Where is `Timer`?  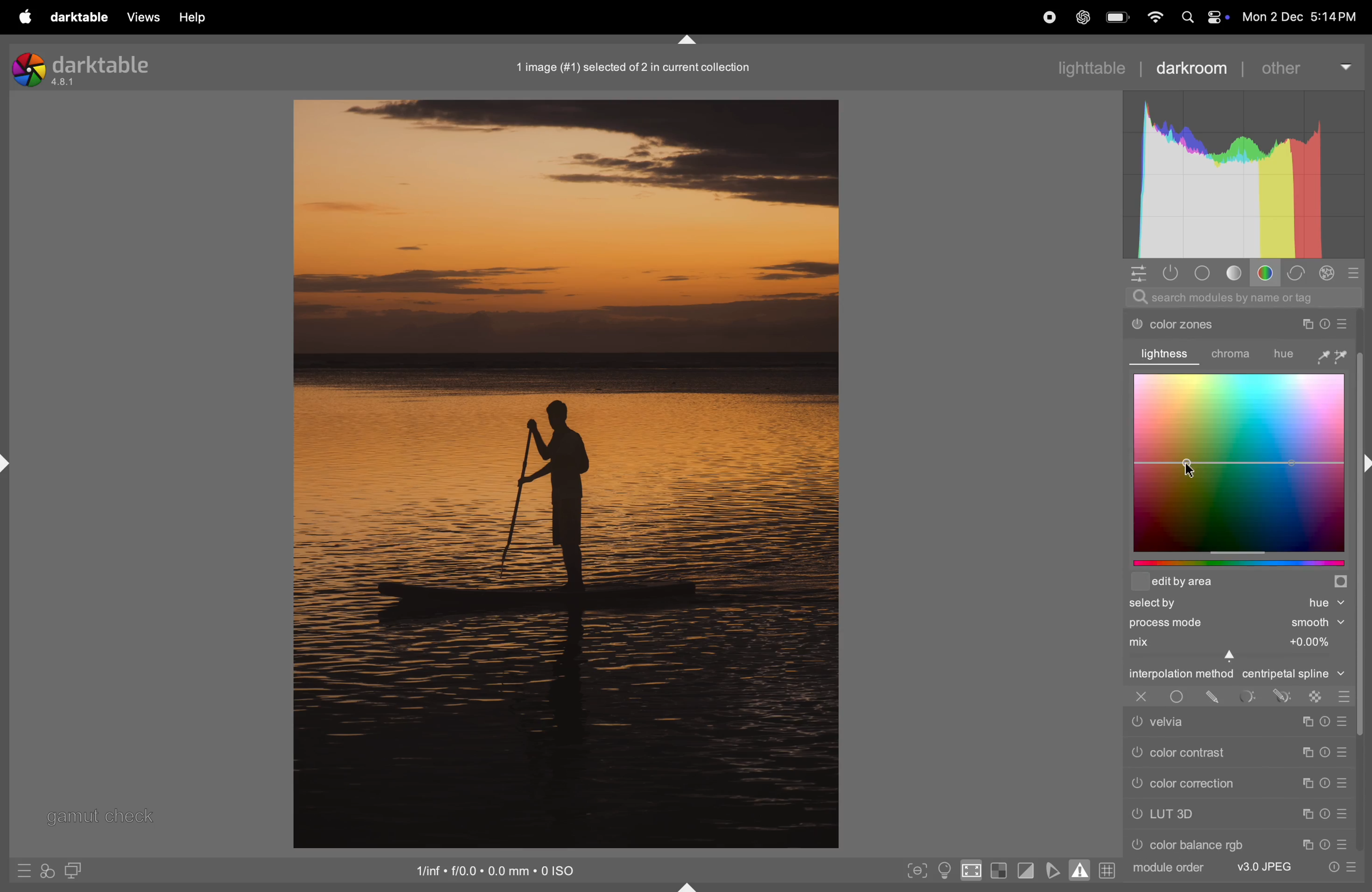 Timer is located at coordinates (1322, 324).